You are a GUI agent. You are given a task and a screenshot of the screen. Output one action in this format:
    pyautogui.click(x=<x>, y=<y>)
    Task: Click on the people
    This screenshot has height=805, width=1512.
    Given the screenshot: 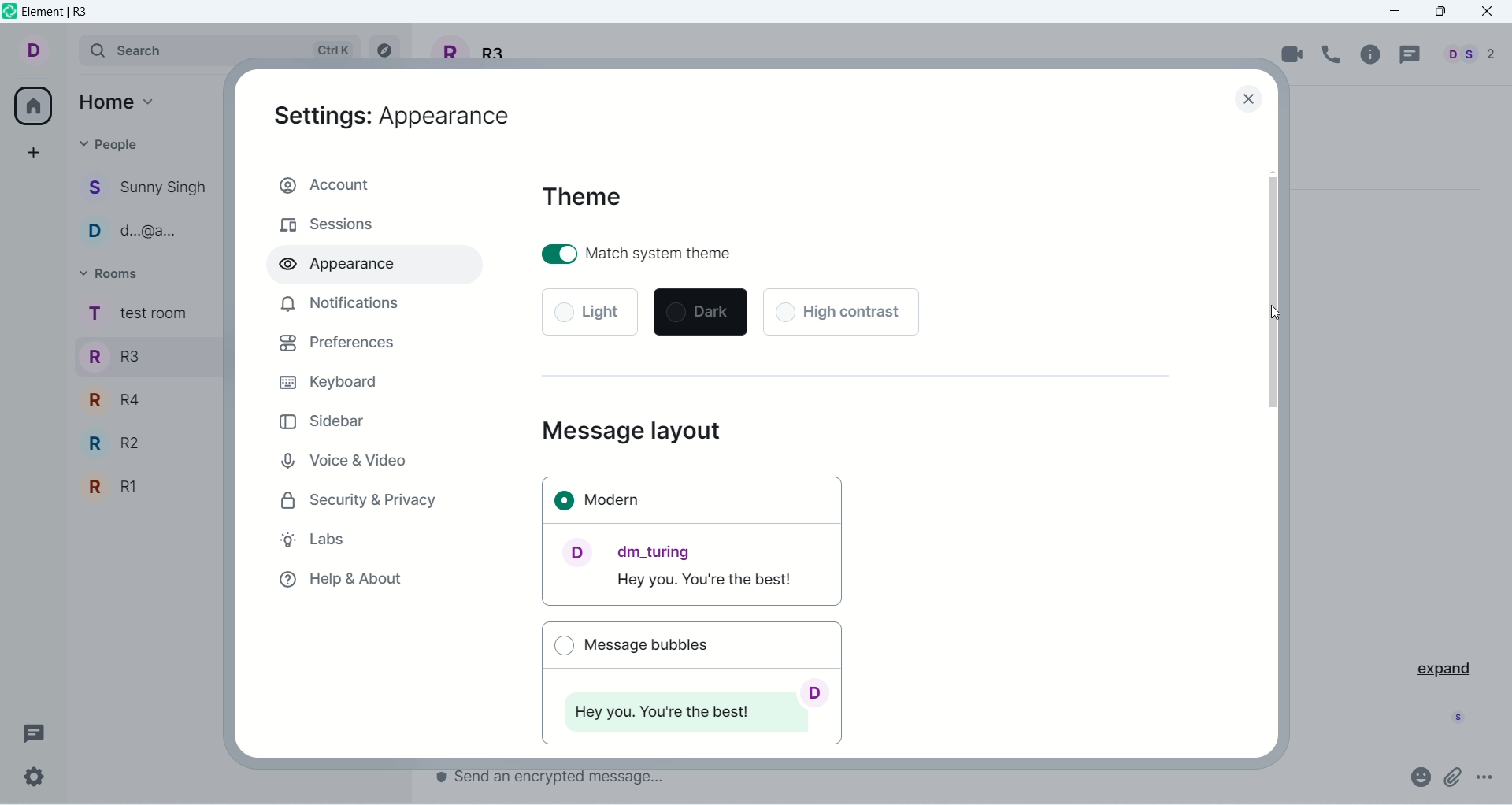 What is the action you would take?
    pyautogui.click(x=1466, y=54)
    